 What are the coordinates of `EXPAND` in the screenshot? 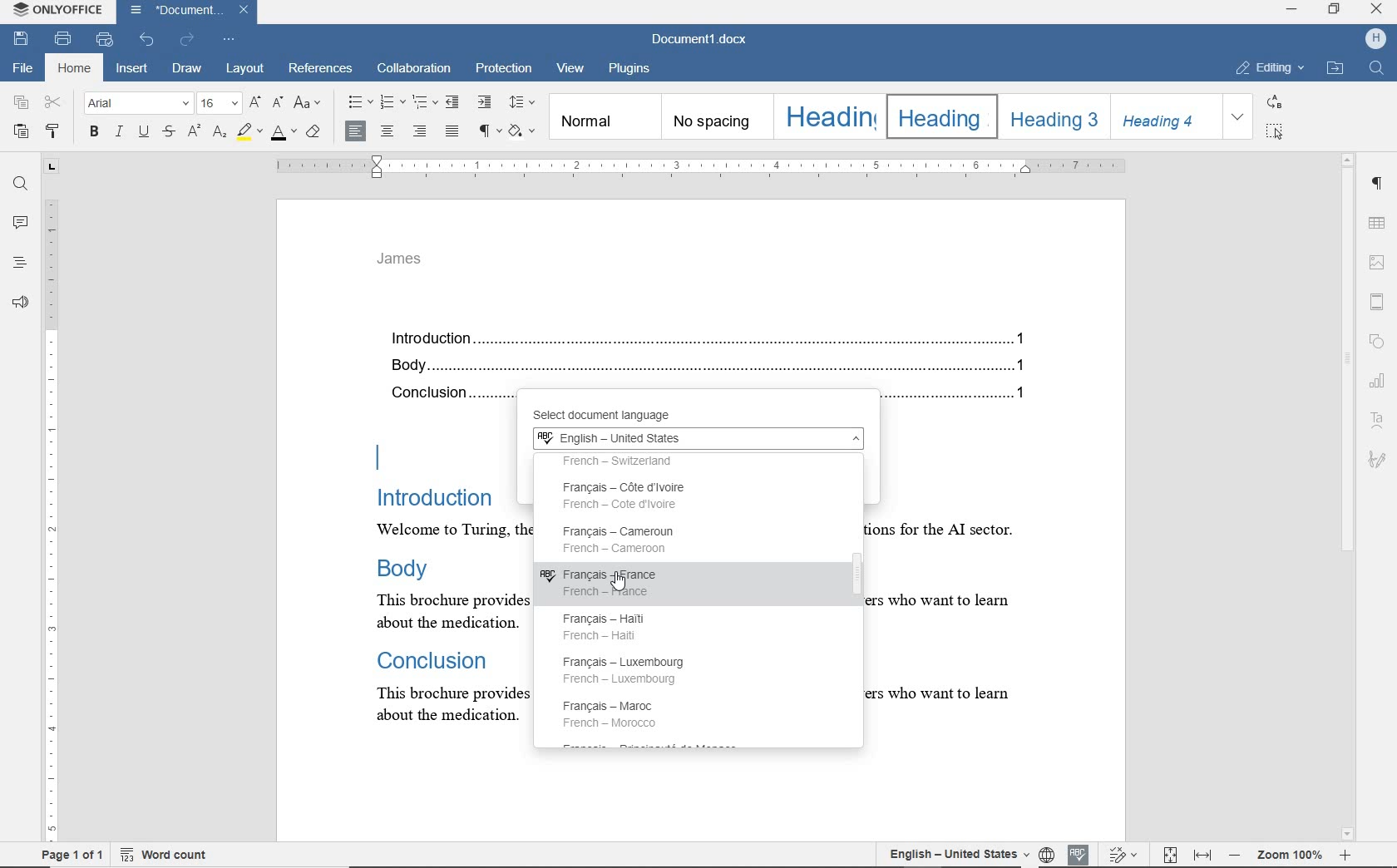 It's located at (1239, 117).